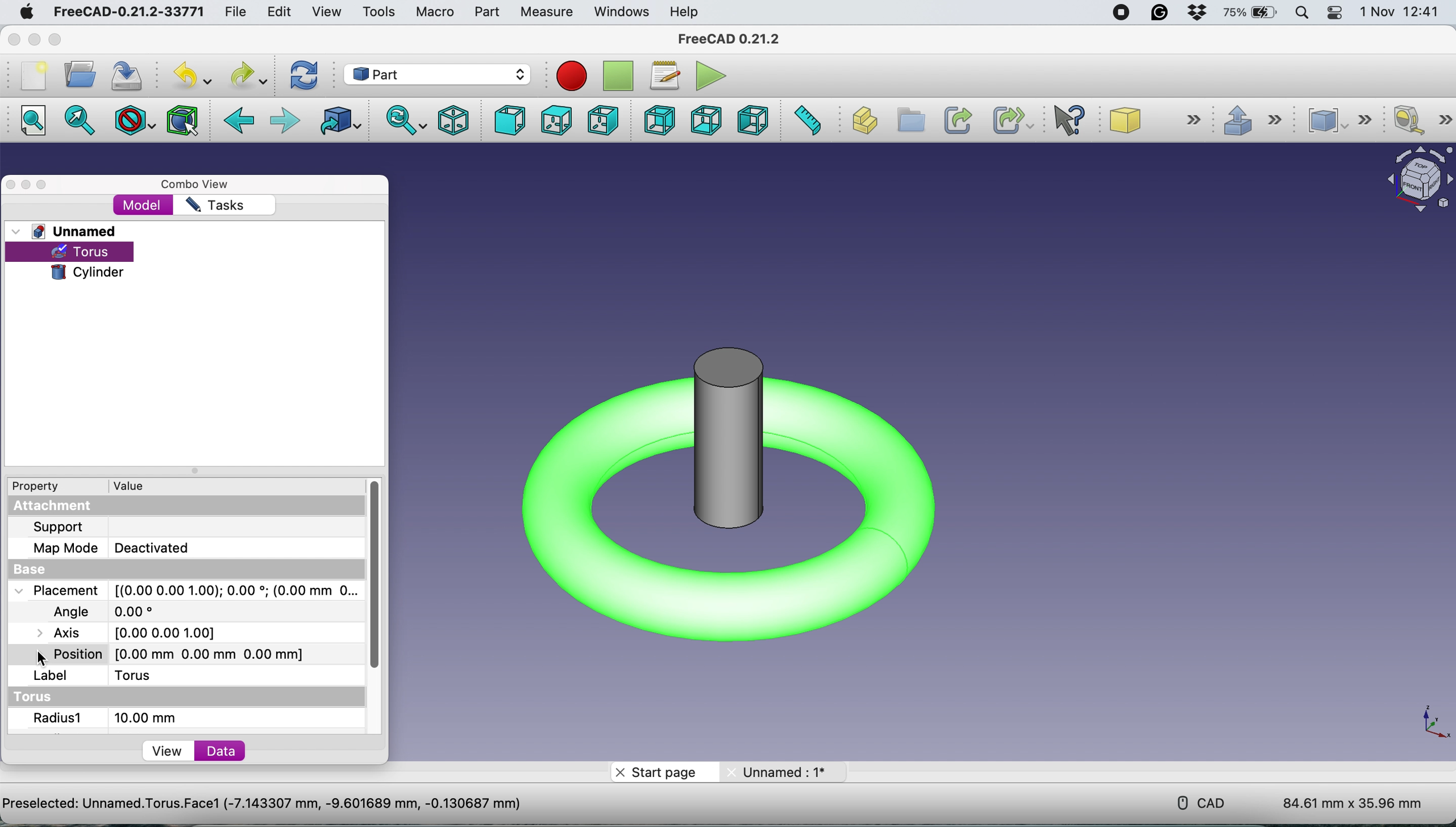  I want to click on torus, so click(89, 252).